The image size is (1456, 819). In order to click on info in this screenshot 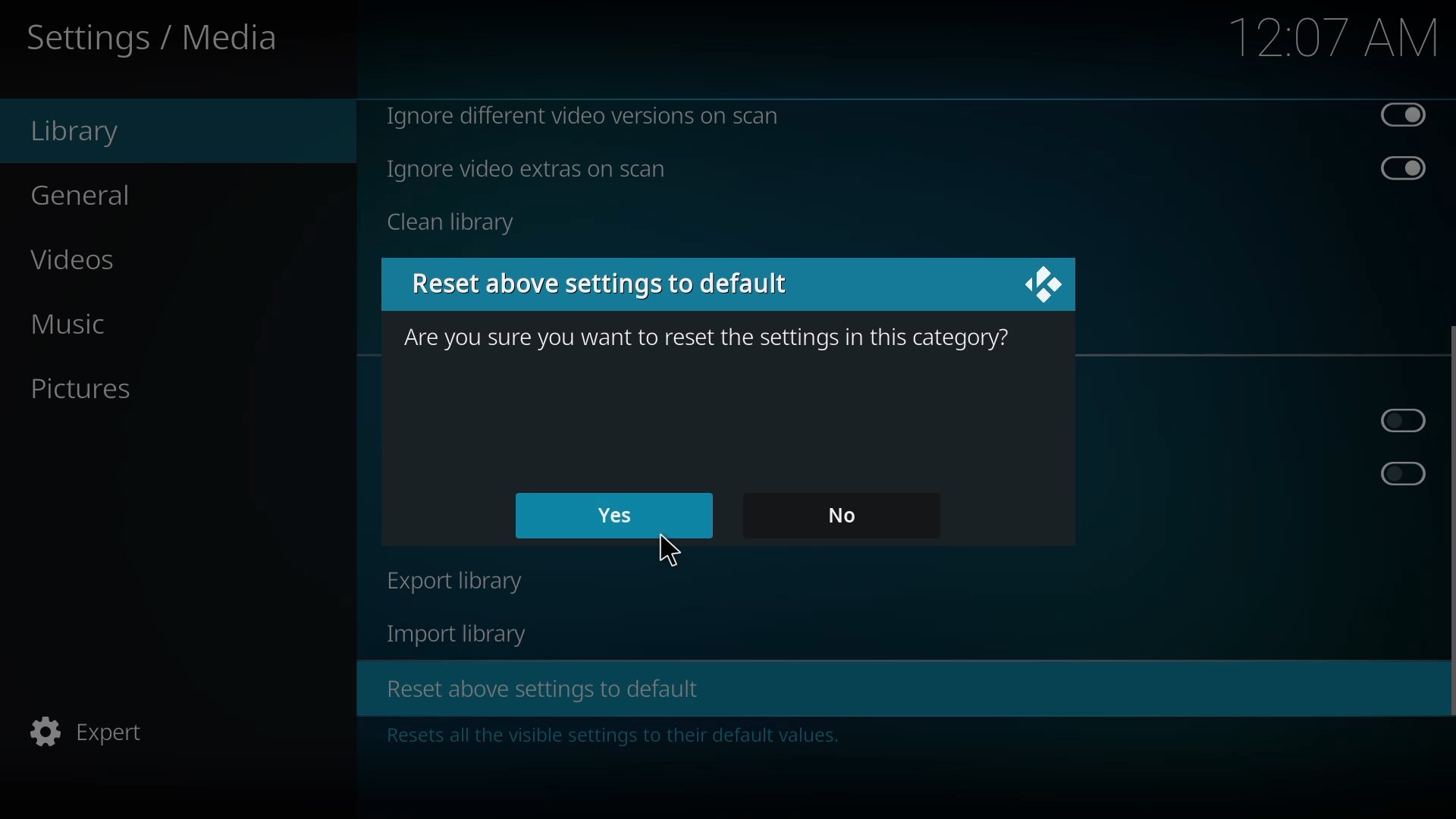, I will do `click(606, 736)`.